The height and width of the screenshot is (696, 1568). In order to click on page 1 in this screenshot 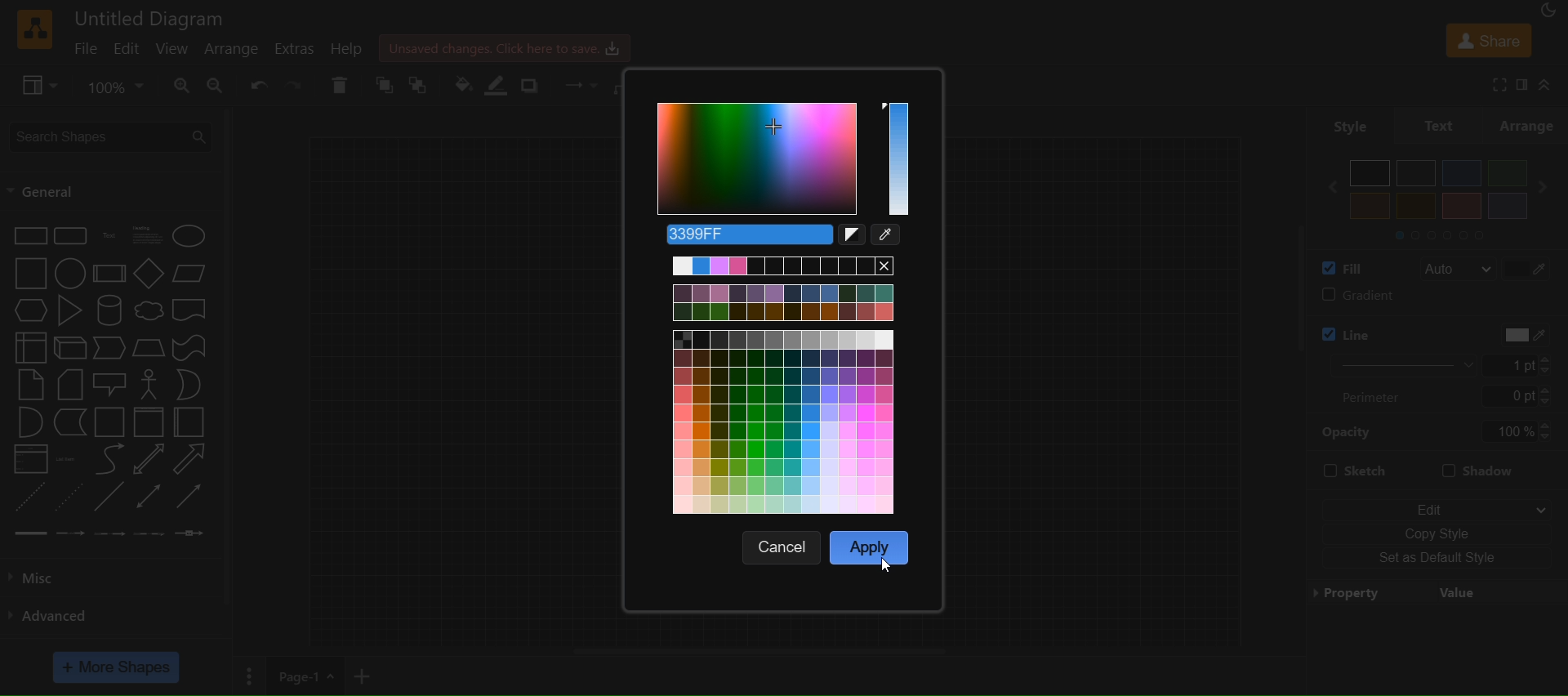, I will do `click(304, 675)`.